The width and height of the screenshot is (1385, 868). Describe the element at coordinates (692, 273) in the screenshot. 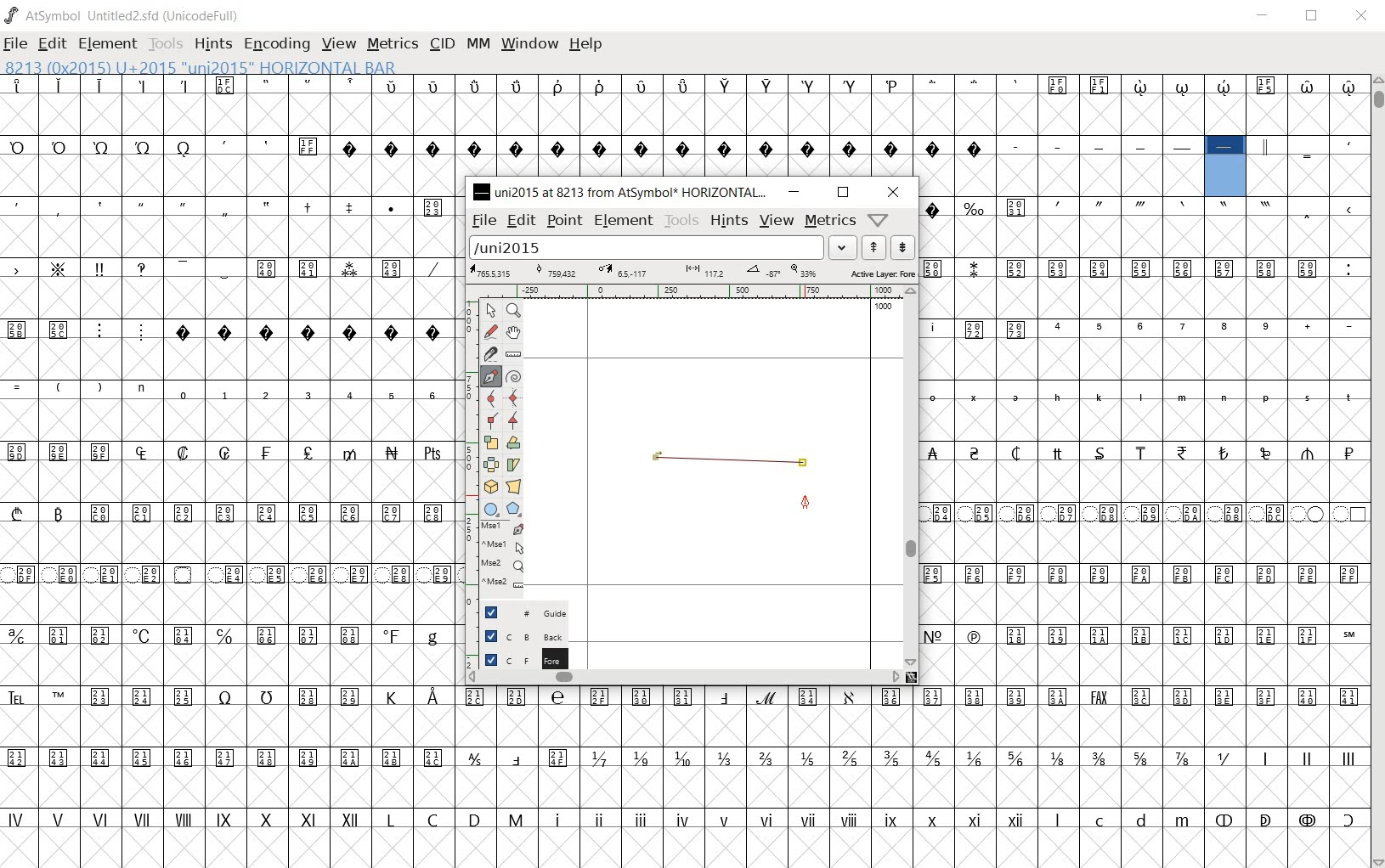

I see `Active Layer: Fore` at that location.